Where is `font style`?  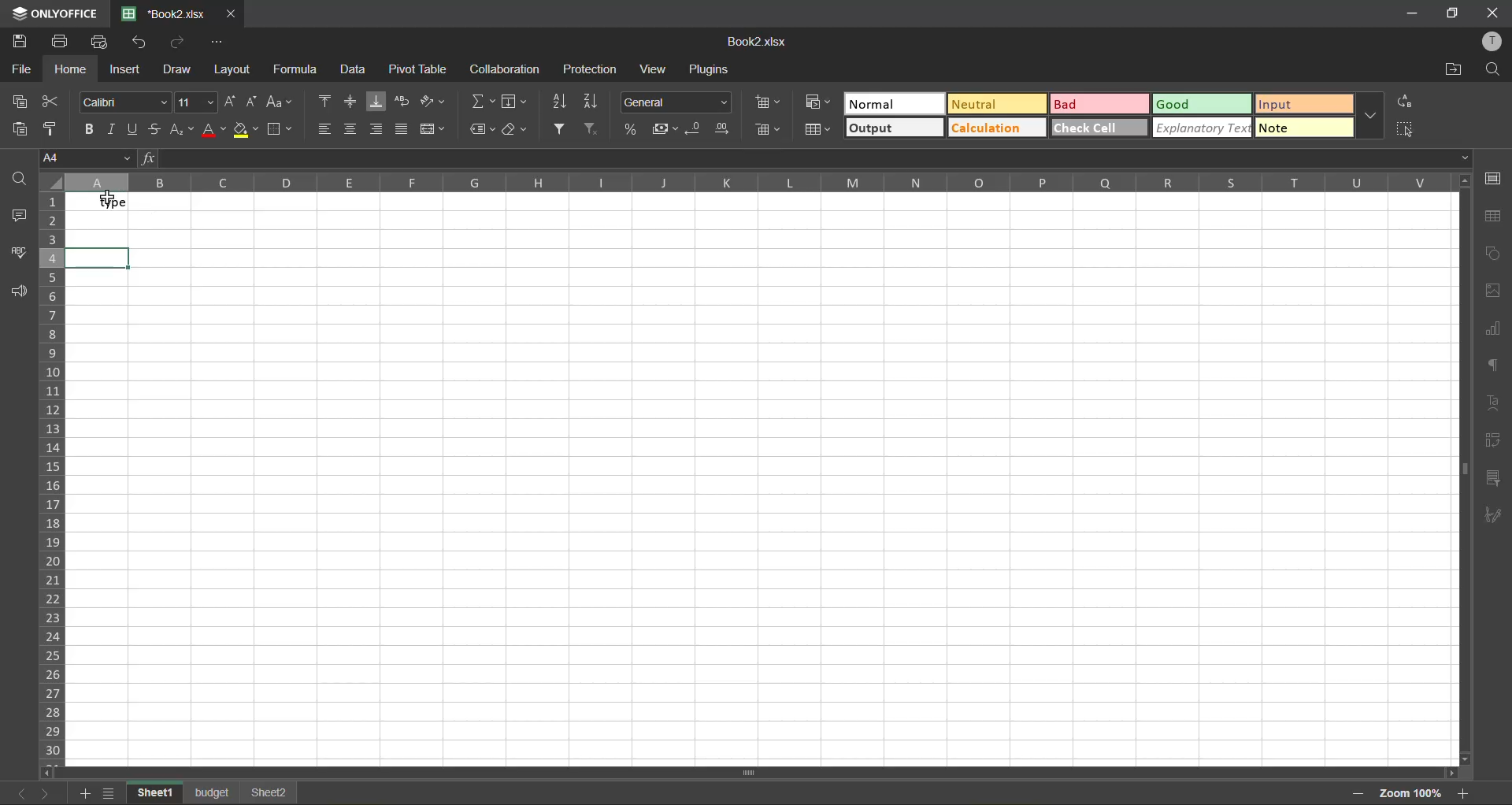
font style is located at coordinates (122, 102).